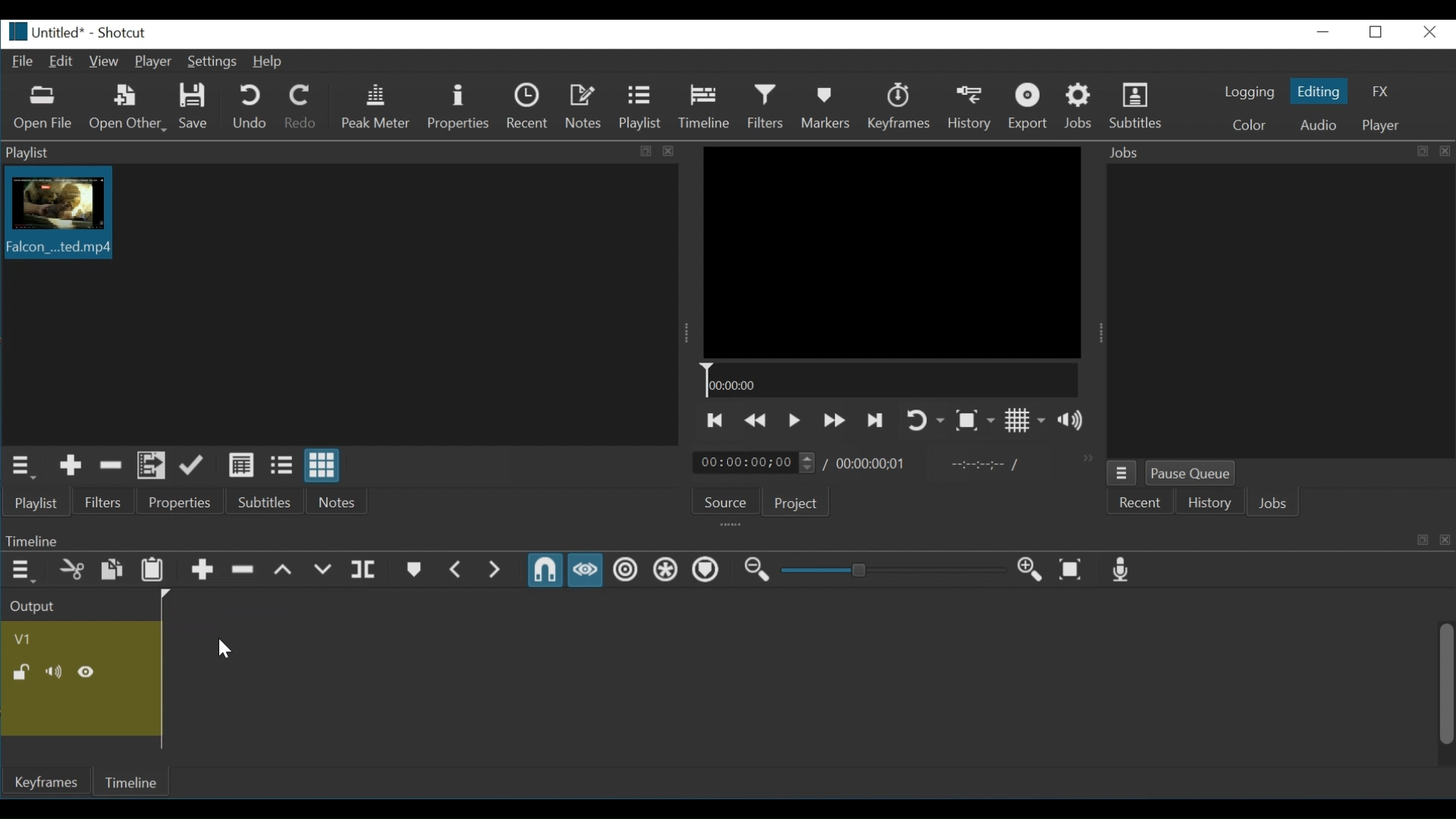 This screenshot has width=1456, height=819. I want to click on Source, so click(726, 504).